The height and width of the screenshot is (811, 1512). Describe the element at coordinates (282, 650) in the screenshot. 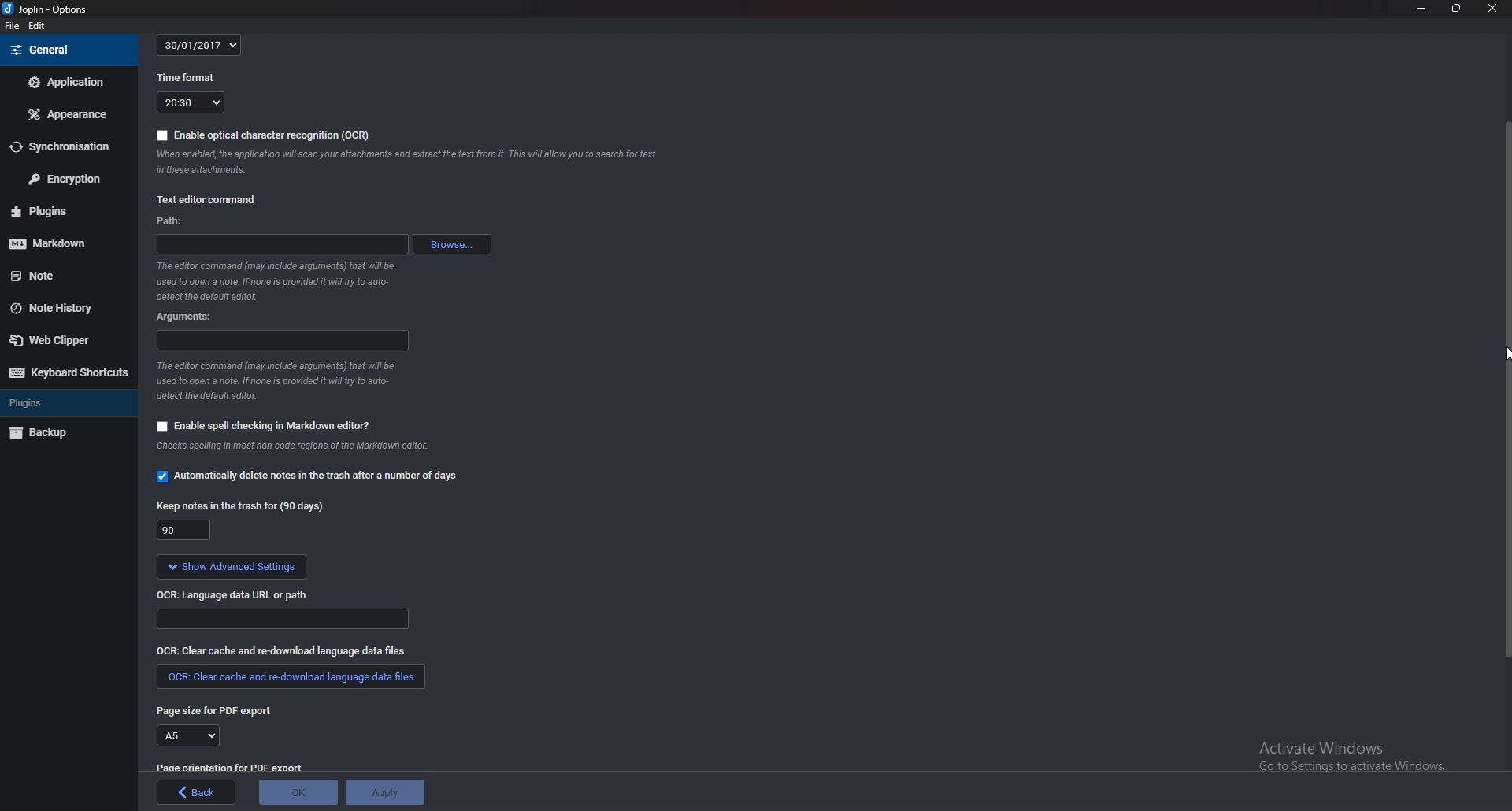

I see `Clear cache and redownload language data files` at that location.